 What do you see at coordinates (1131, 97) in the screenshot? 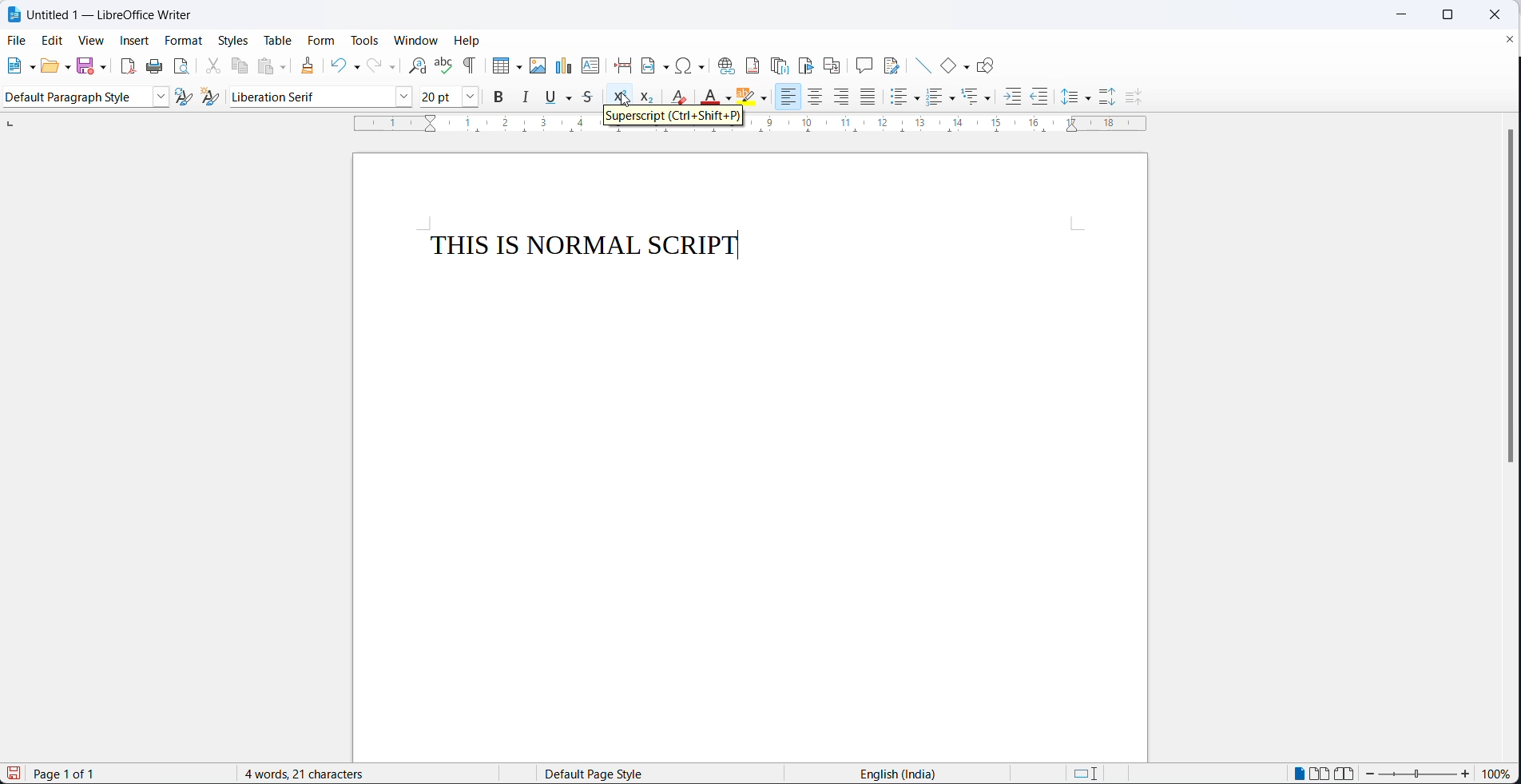
I see `decrease paragraph space` at bounding box center [1131, 97].